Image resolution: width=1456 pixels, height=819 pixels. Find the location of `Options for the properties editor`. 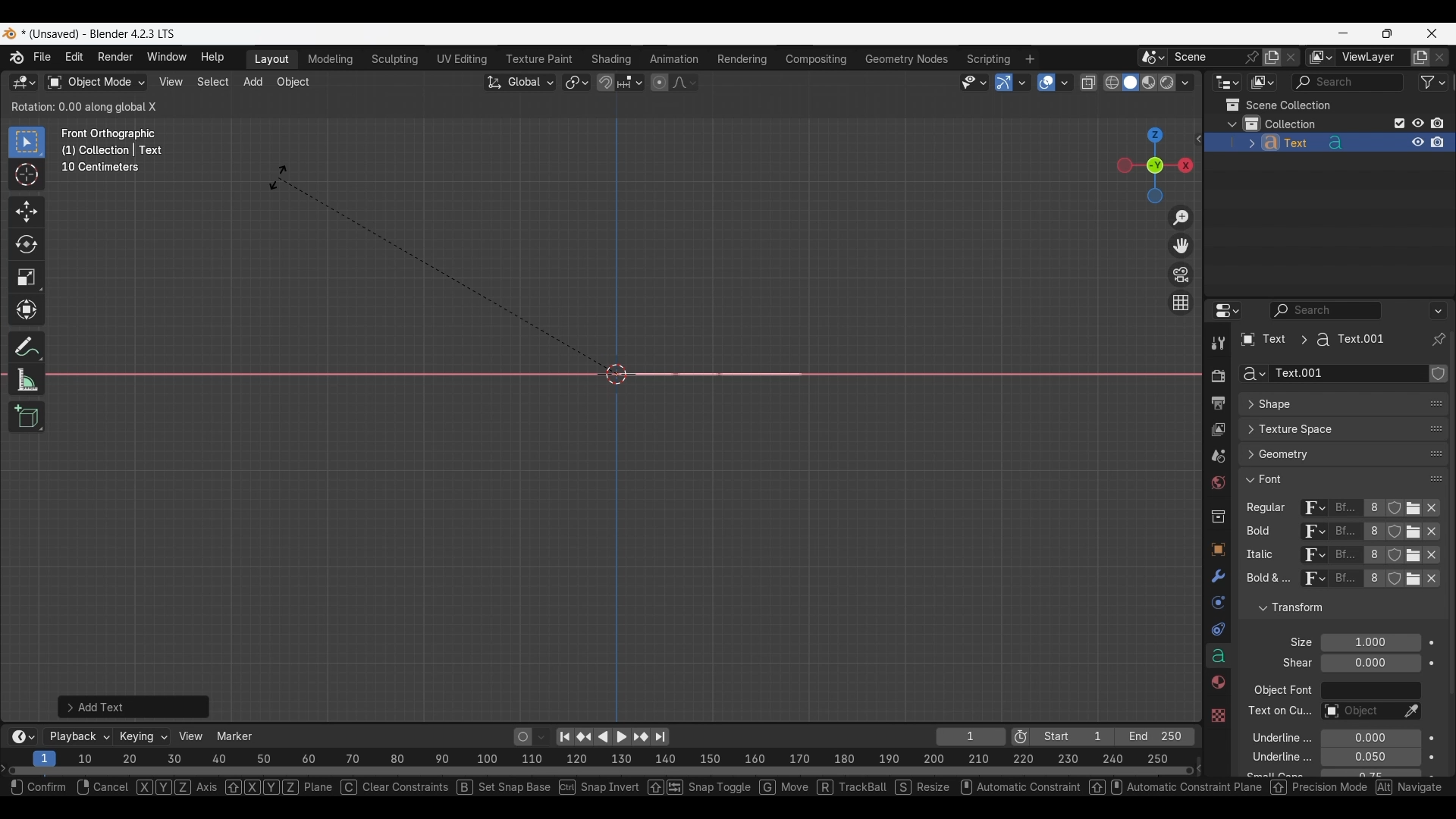

Options for the properties editor is located at coordinates (1439, 310).